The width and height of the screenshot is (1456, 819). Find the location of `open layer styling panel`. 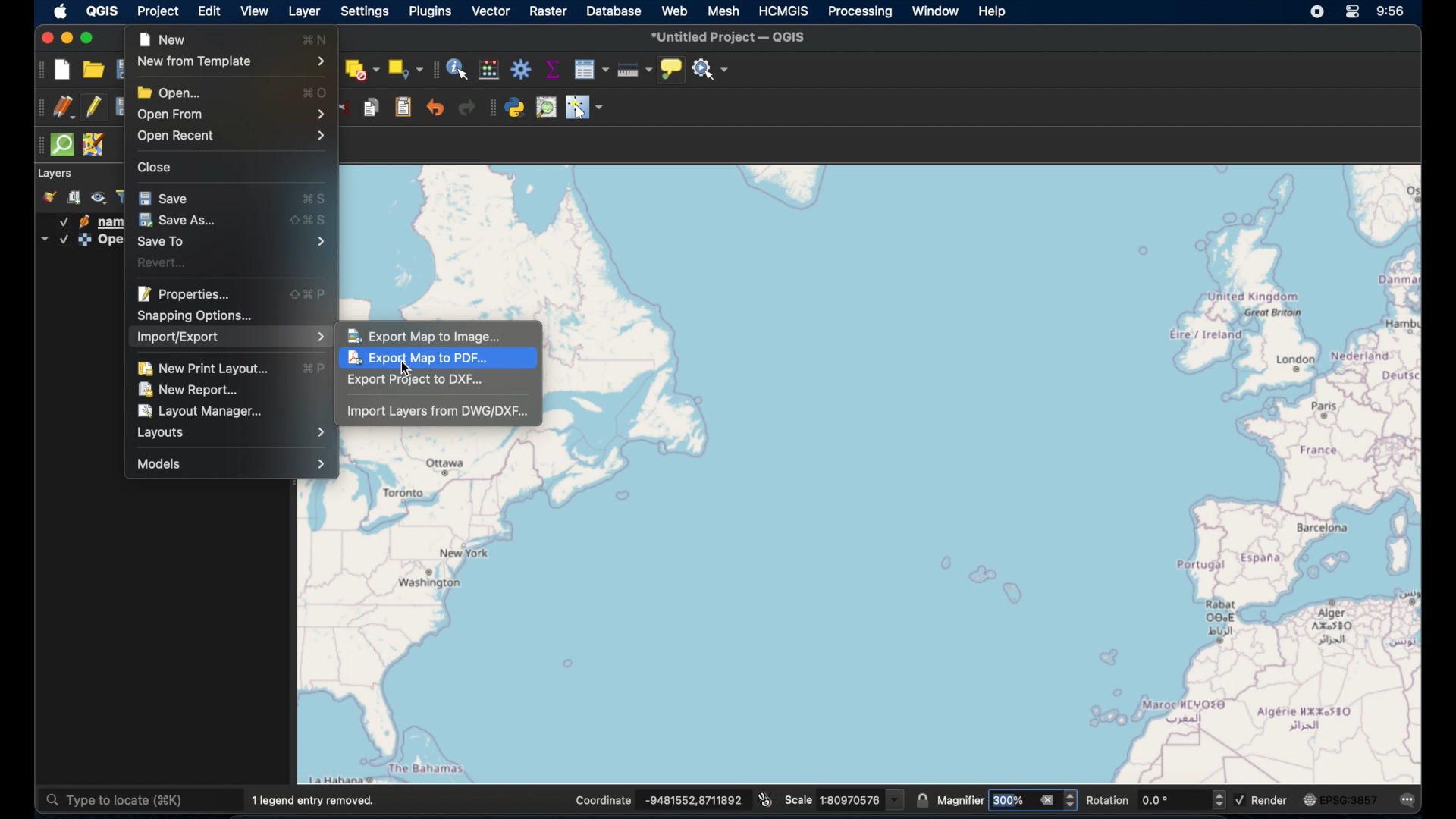

open layer styling panel is located at coordinates (49, 197).